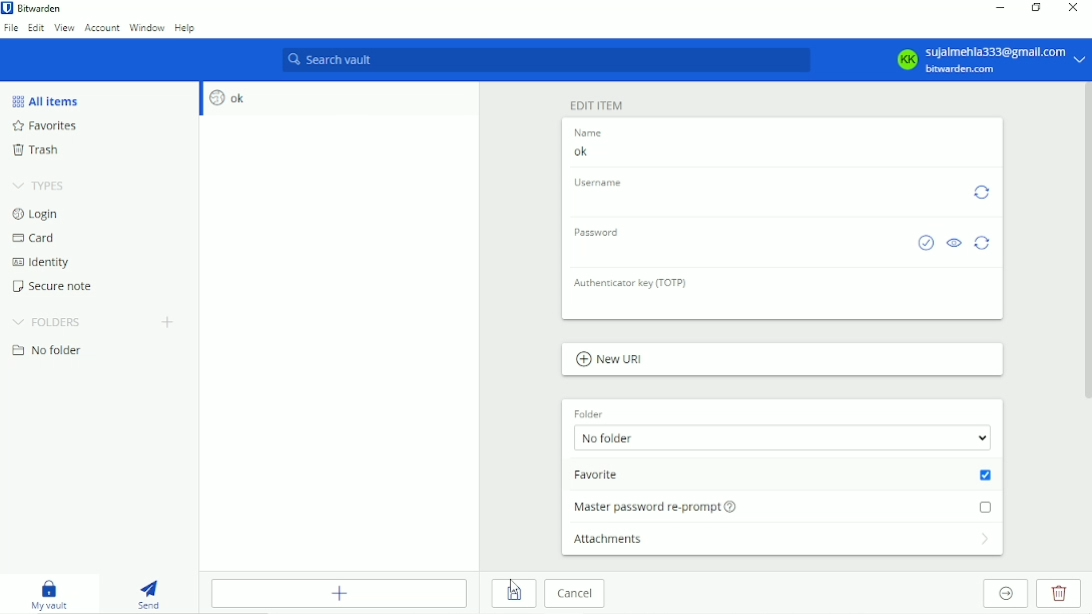  I want to click on Identity, so click(44, 263).